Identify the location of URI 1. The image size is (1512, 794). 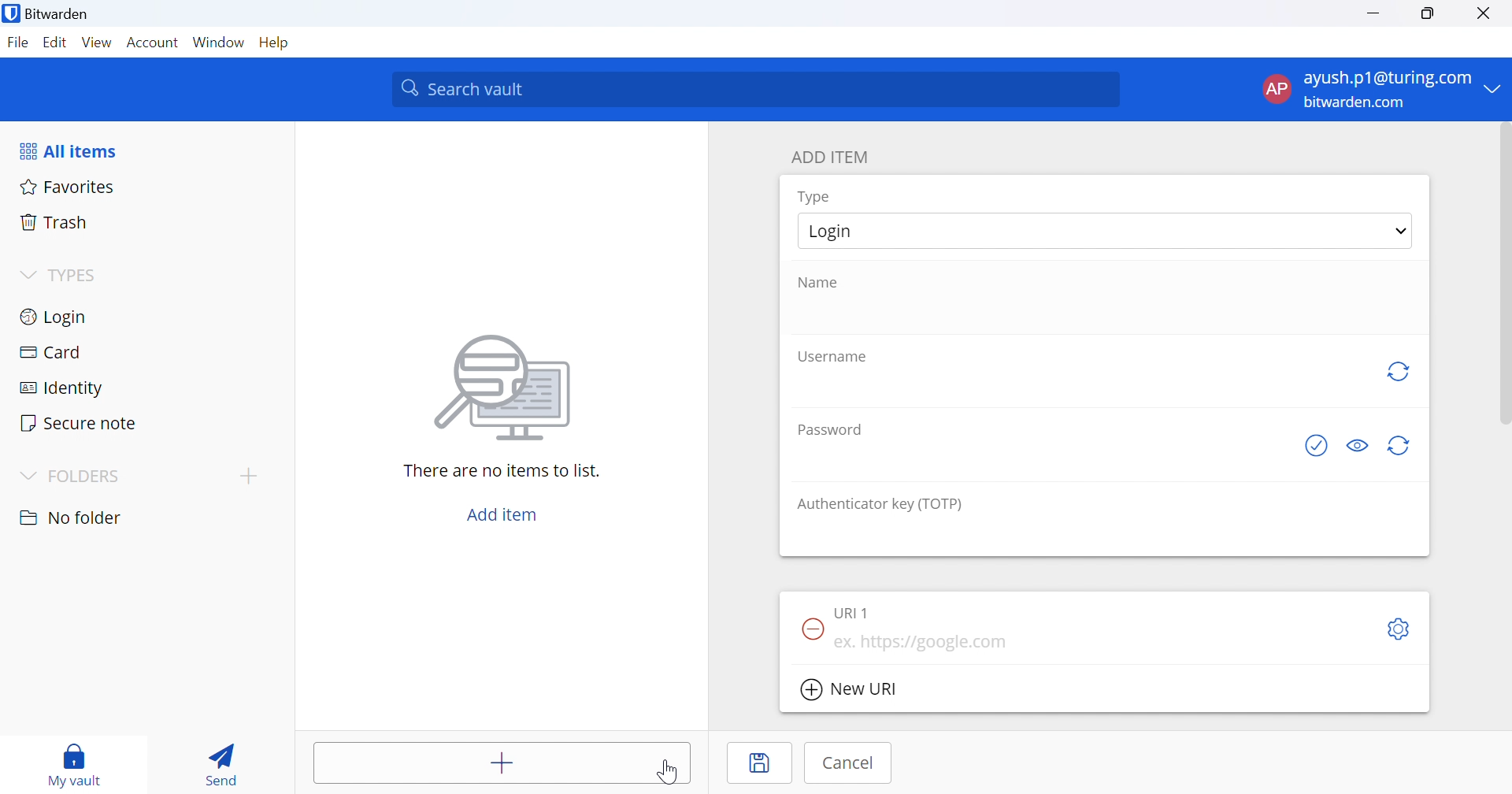
(854, 610).